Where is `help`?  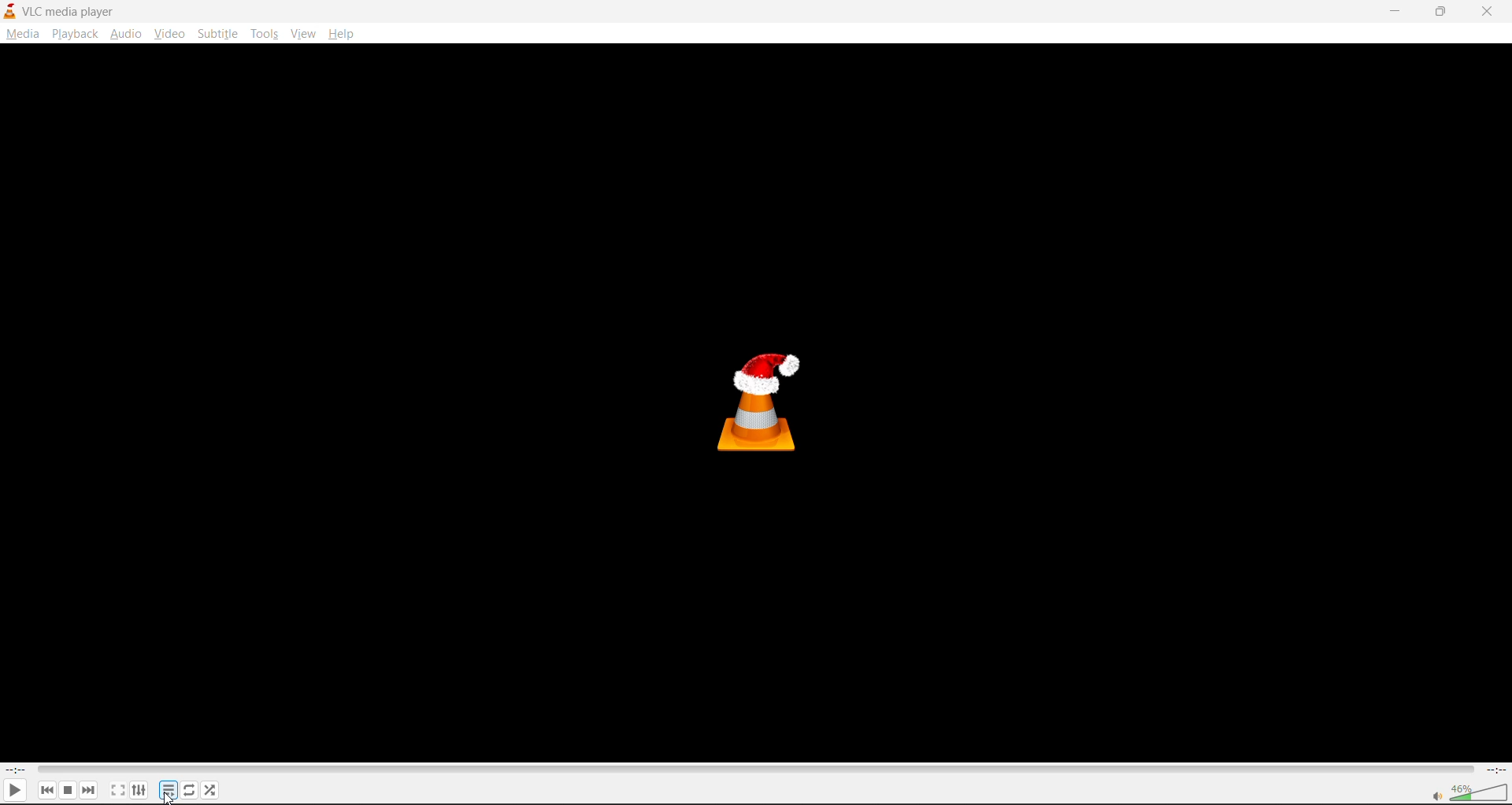 help is located at coordinates (347, 31).